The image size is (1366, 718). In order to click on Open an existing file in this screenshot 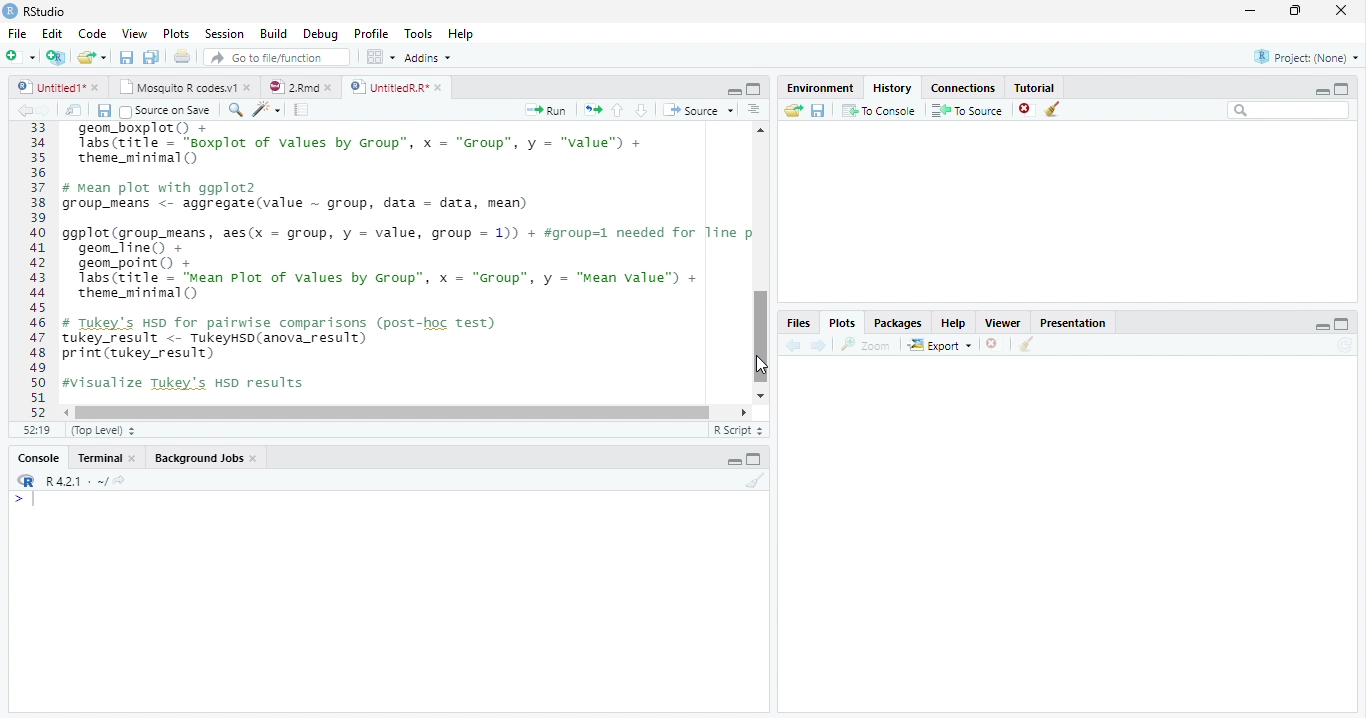, I will do `click(92, 57)`.